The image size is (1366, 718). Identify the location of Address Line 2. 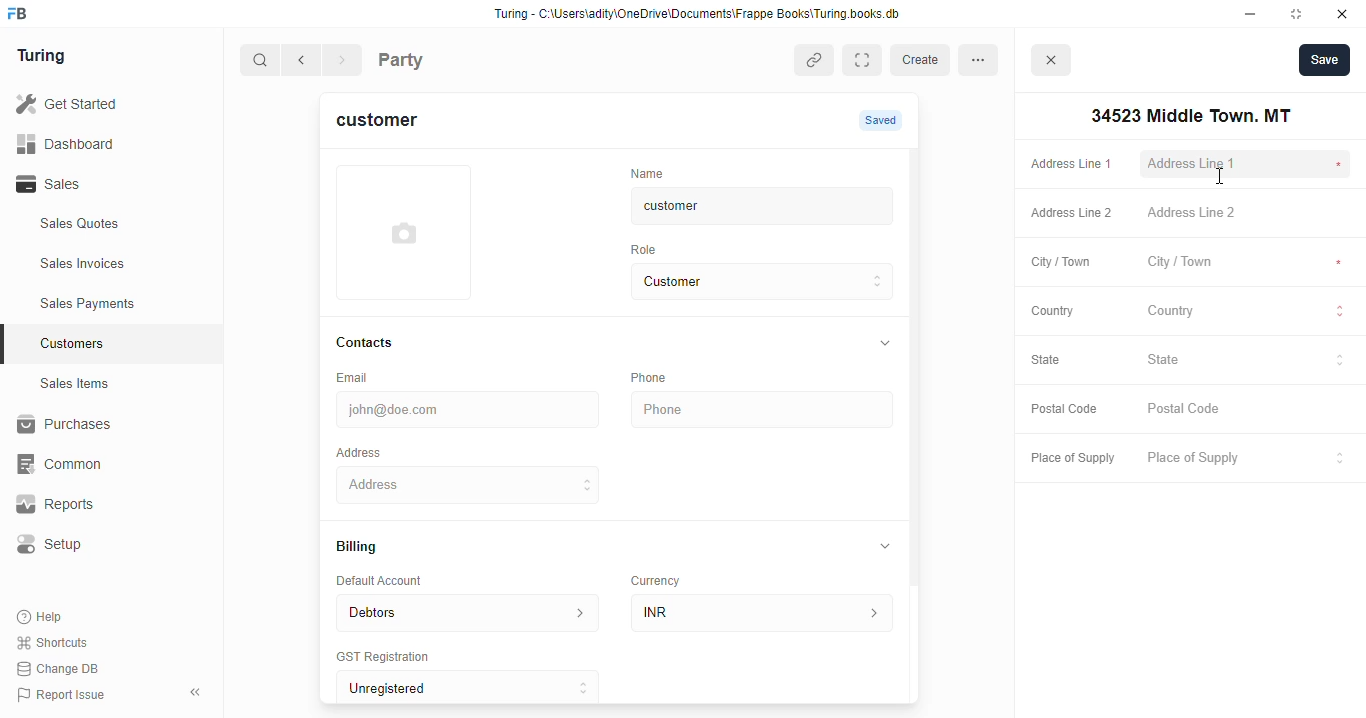
(1067, 214).